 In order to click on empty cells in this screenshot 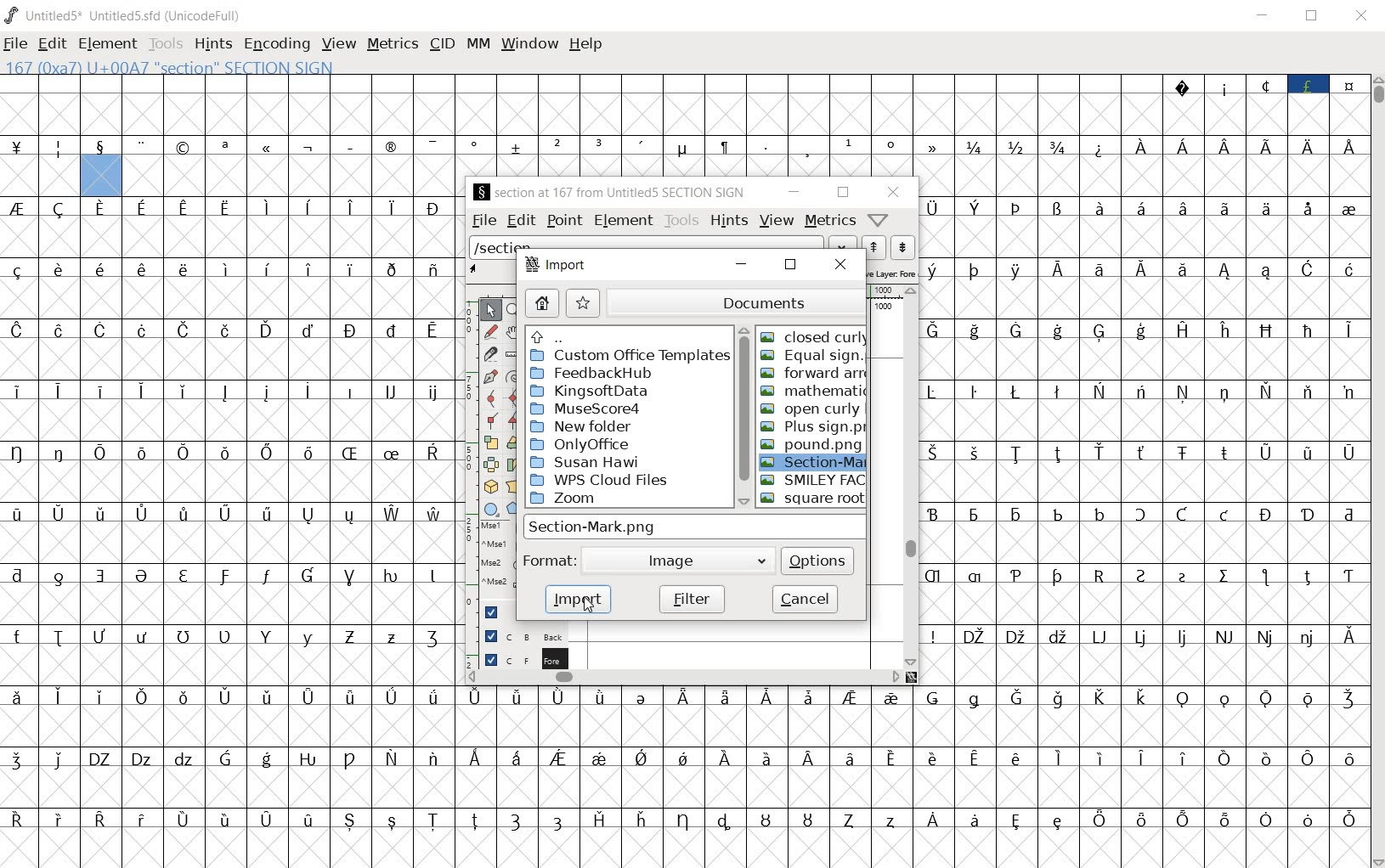, I will do `click(683, 114)`.